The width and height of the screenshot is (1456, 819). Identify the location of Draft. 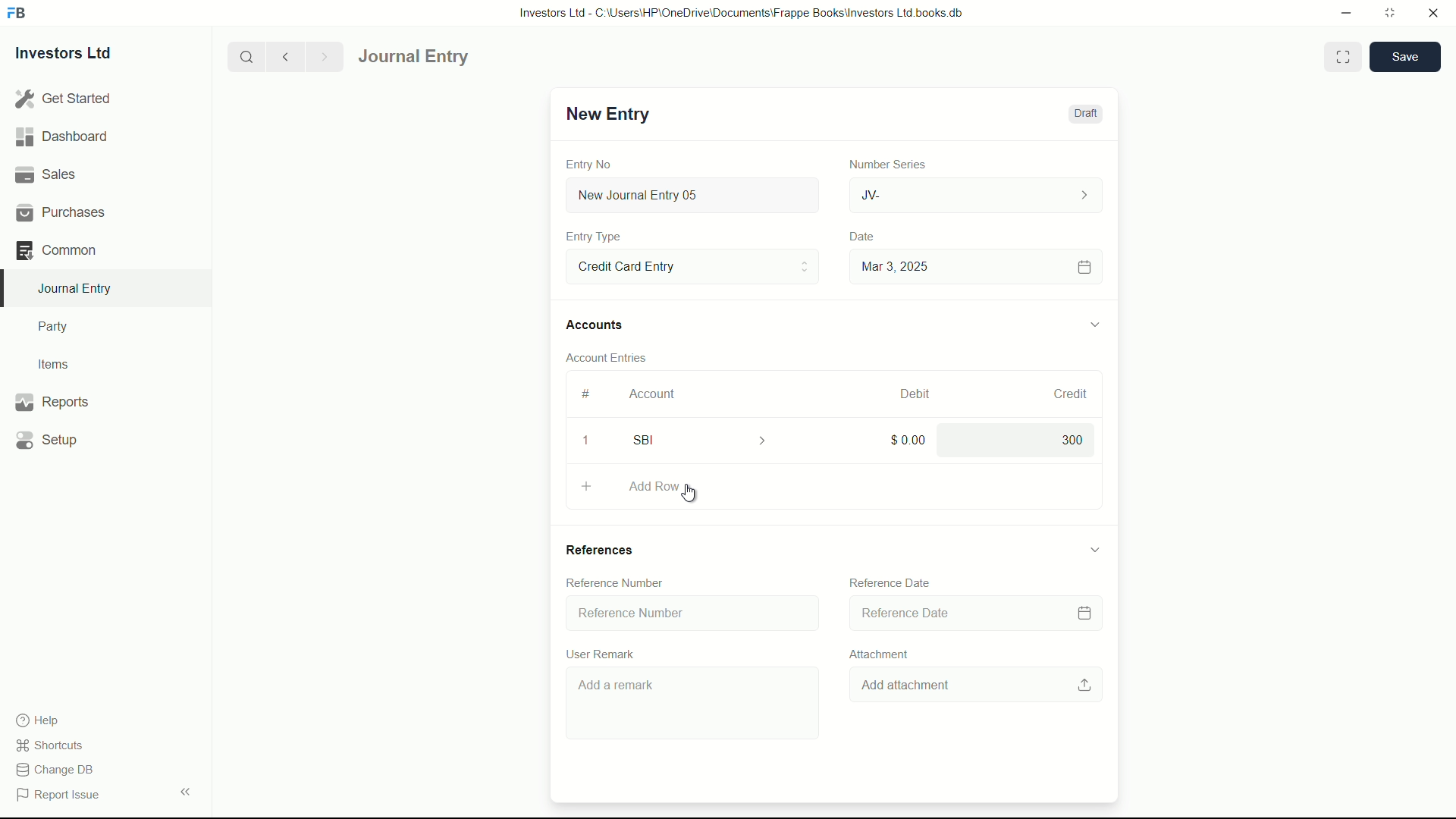
(1084, 114).